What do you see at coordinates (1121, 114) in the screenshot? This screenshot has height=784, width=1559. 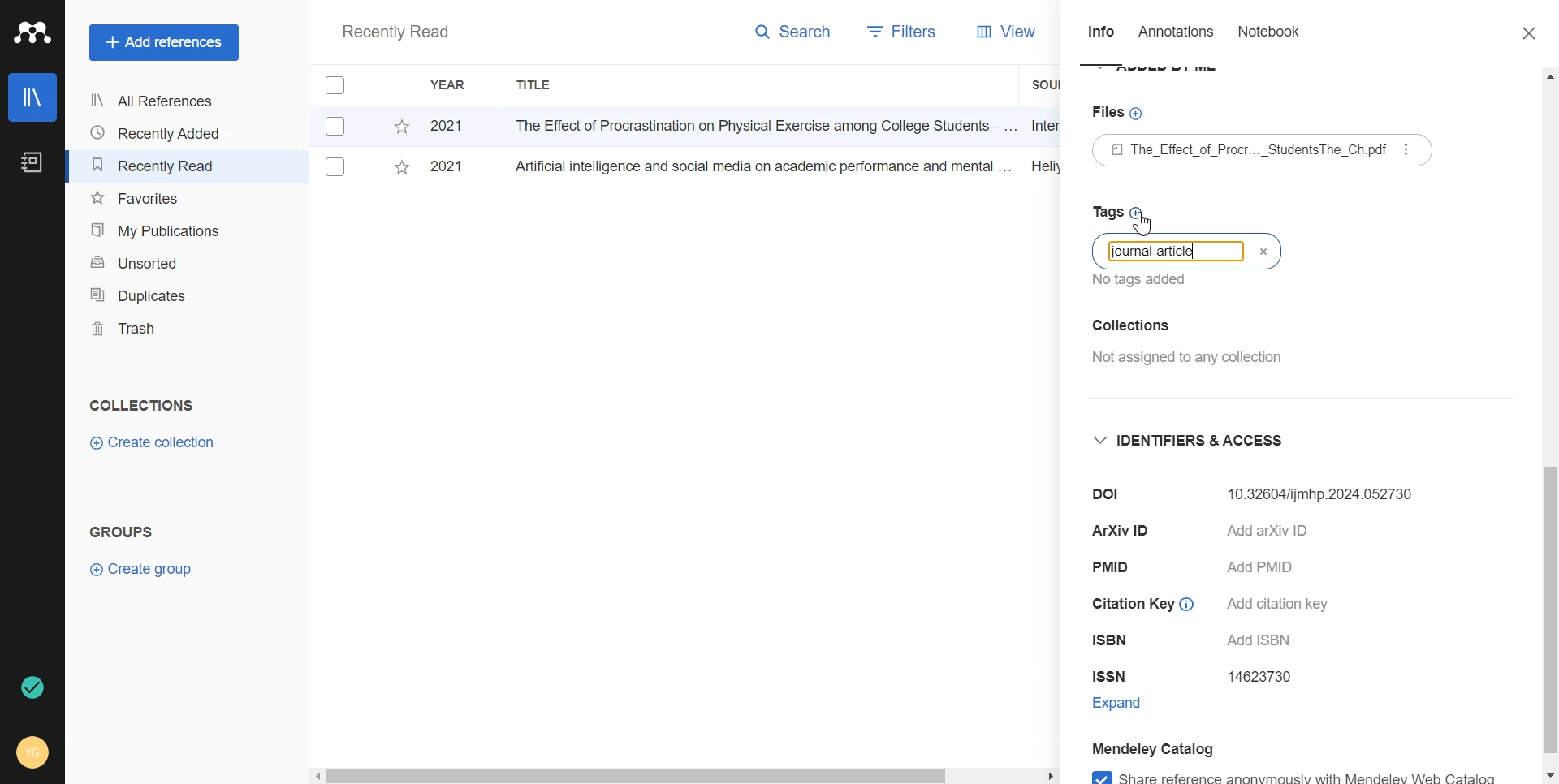 I see `Files` at bounding box center [1121, 114].